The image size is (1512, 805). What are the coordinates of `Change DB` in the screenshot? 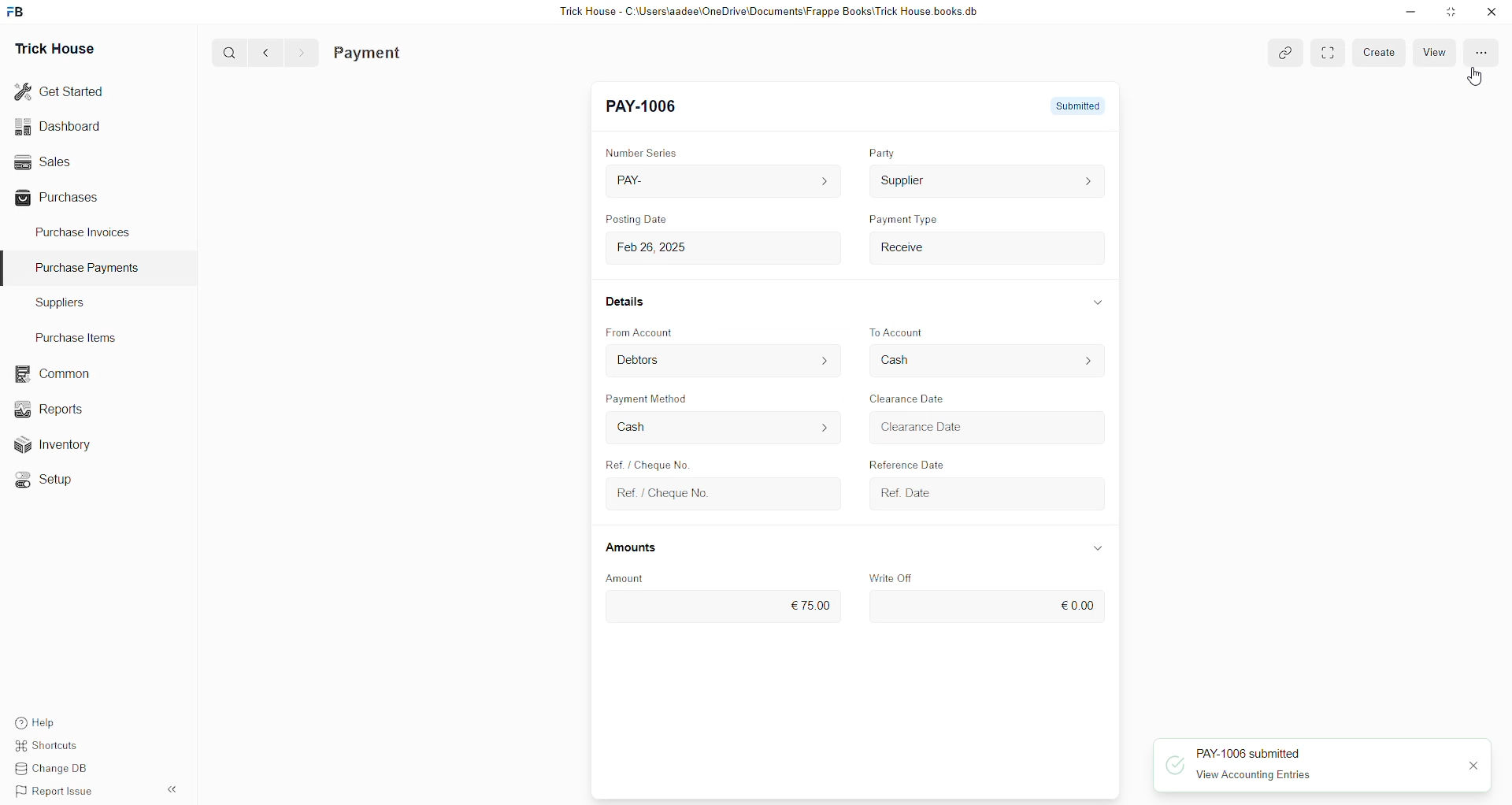 It's located at (51, 767).